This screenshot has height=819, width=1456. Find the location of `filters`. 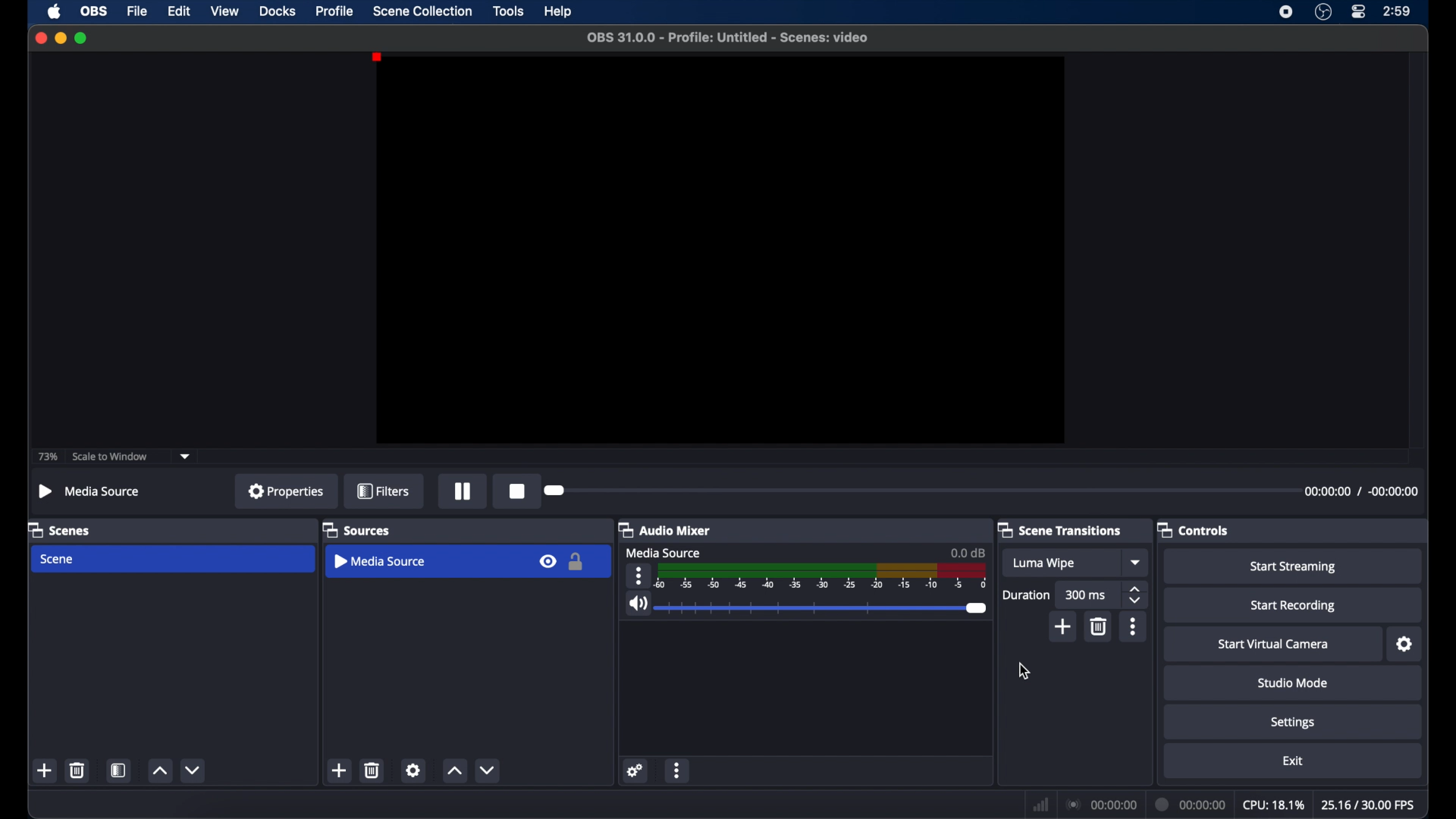

filters is located at coordinates (383, 491).